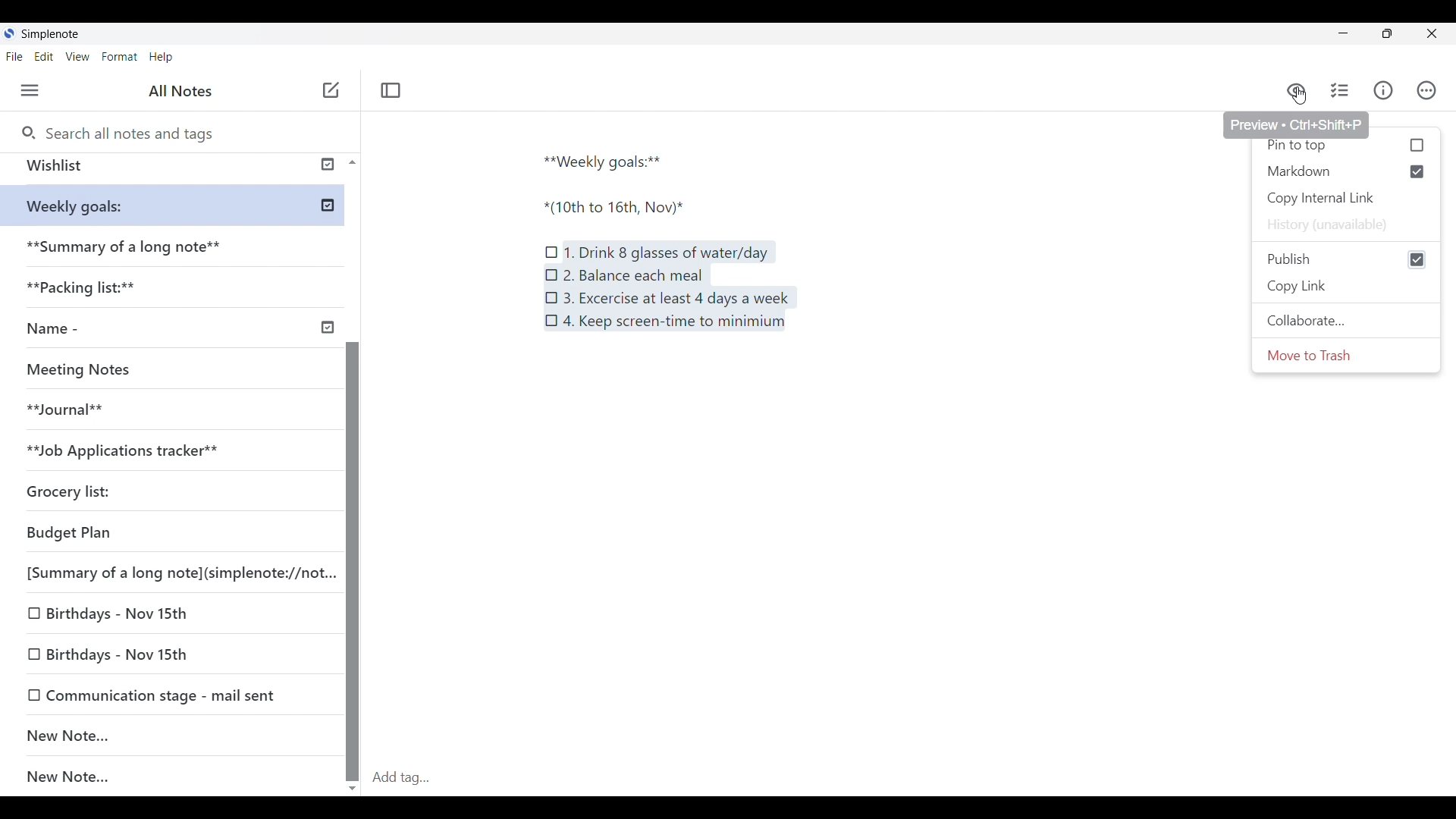 Image resolution: width=1456 pixels, height=819 pixels. I want to click on Checklist icon, so click(551, 273).